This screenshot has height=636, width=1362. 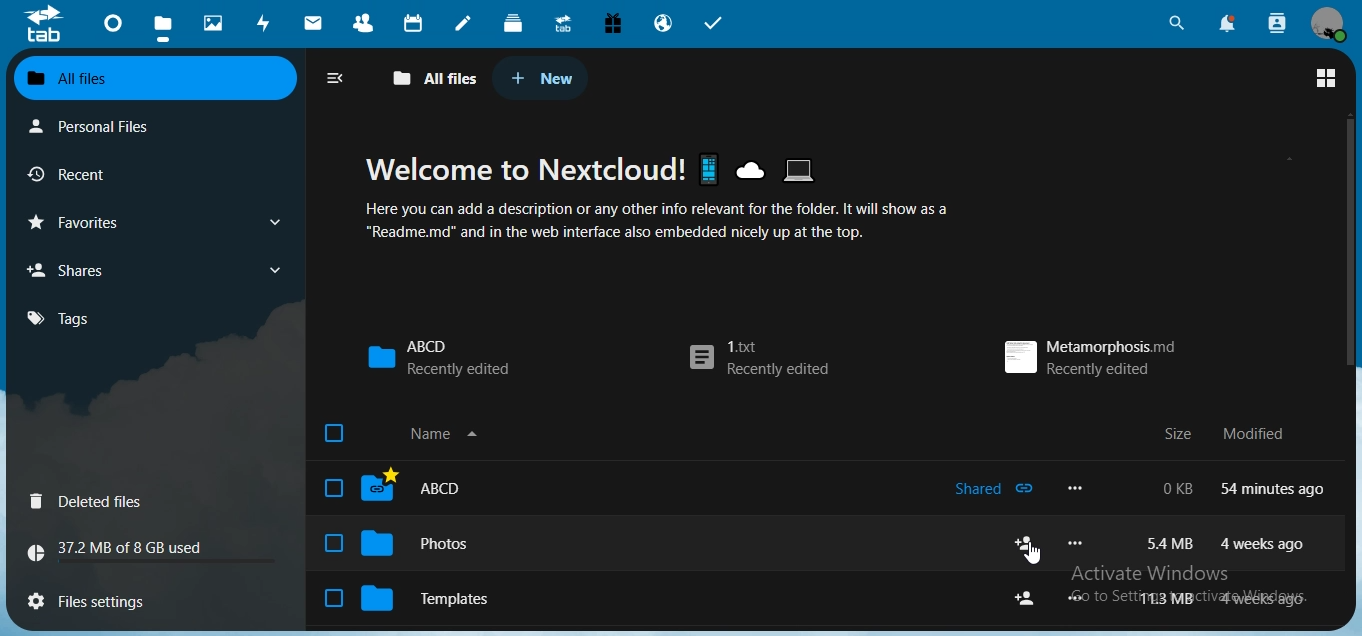 What do you see at coordinates (664, 25) in the screenshot?
I see `email hosting` at bounding box center [664, 25].